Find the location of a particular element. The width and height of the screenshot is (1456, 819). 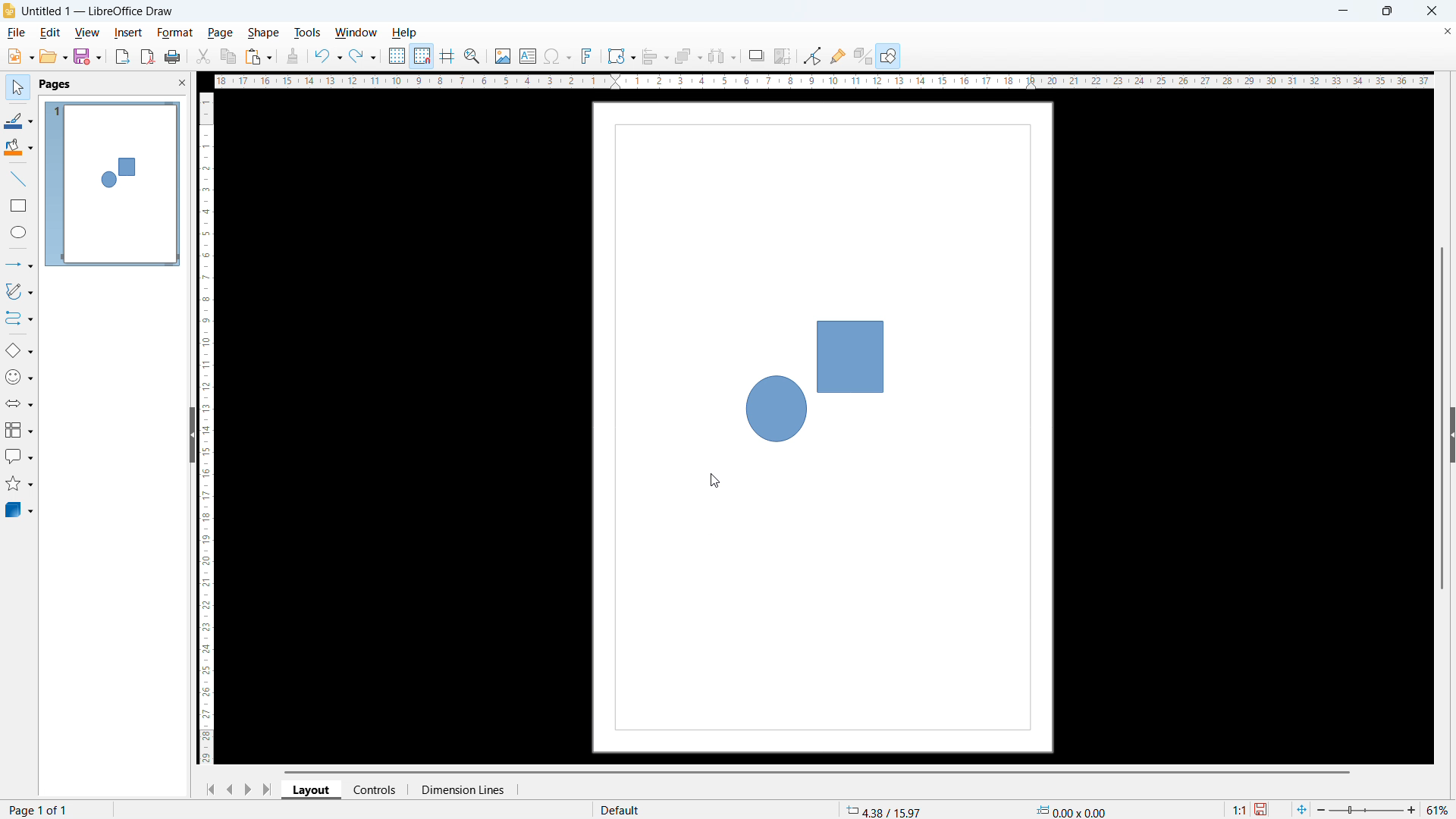

go to first page is located at coordinates (211, 789).